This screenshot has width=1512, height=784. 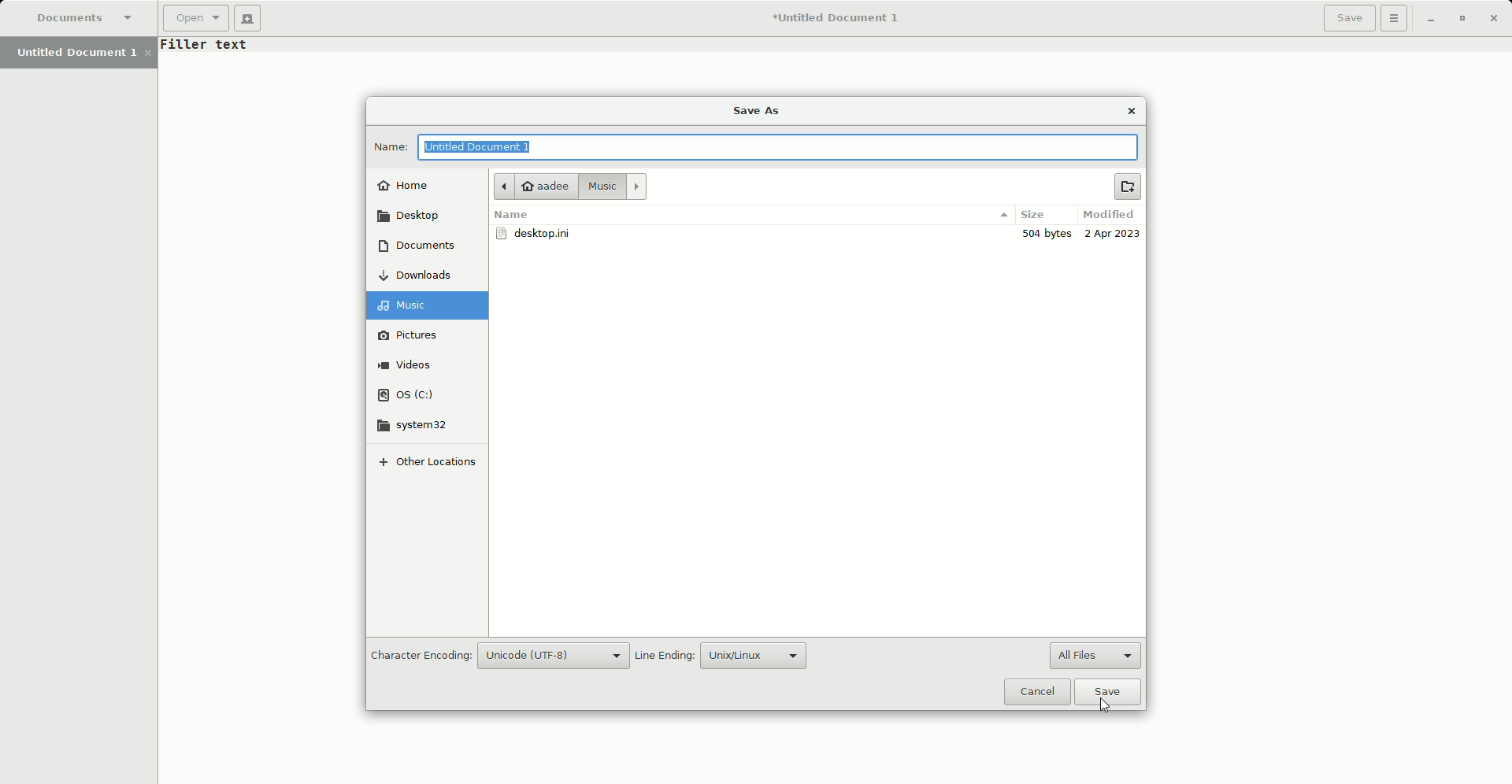 I want to click on desktop.ini, so click(x=538, y=235).